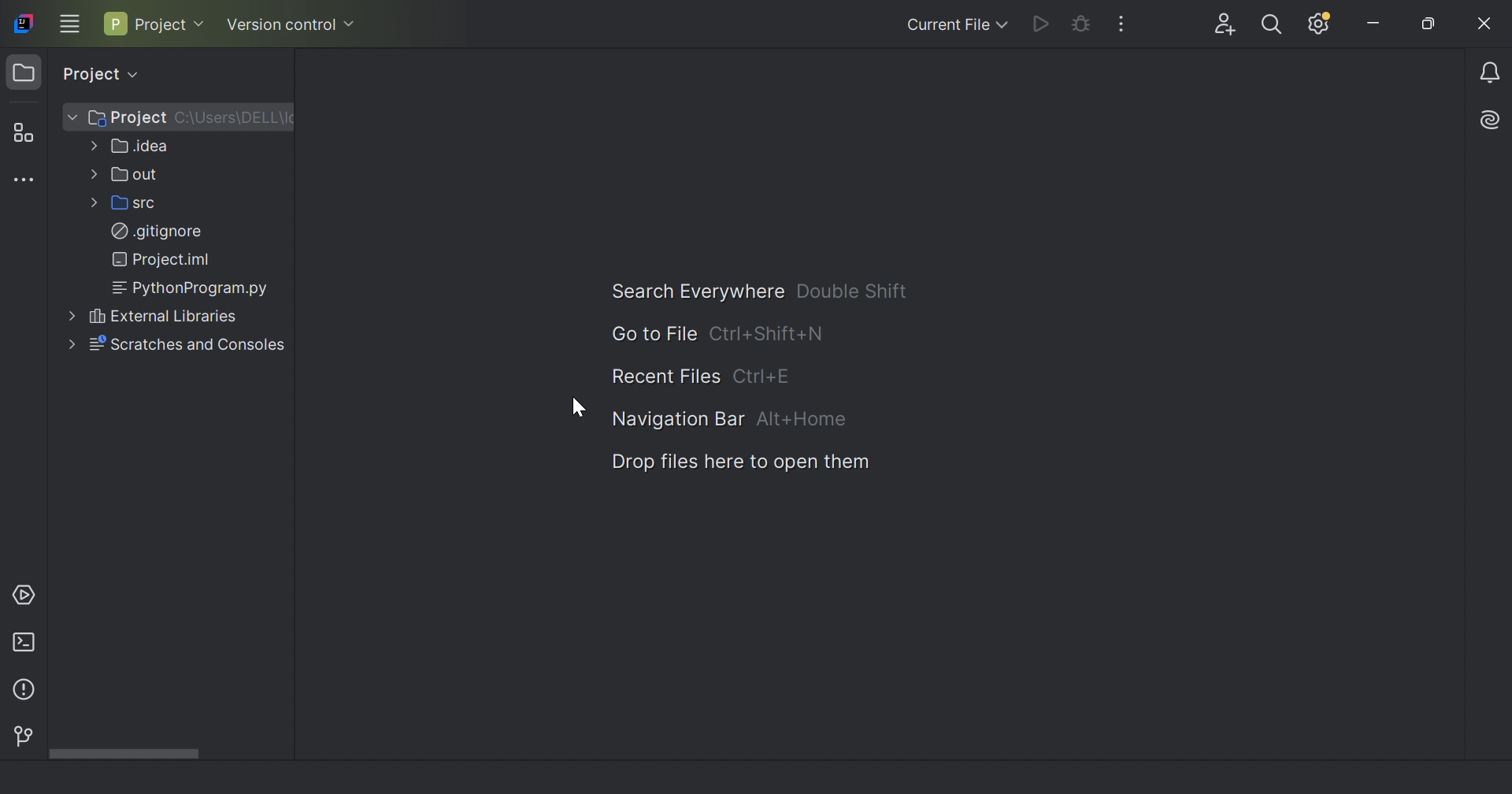 The width and height of the screenshot is (1512, 794). What do you see at coordinates (665, 377) in the screenshot?
I see `Recent file` at bounding box center [665, 377].